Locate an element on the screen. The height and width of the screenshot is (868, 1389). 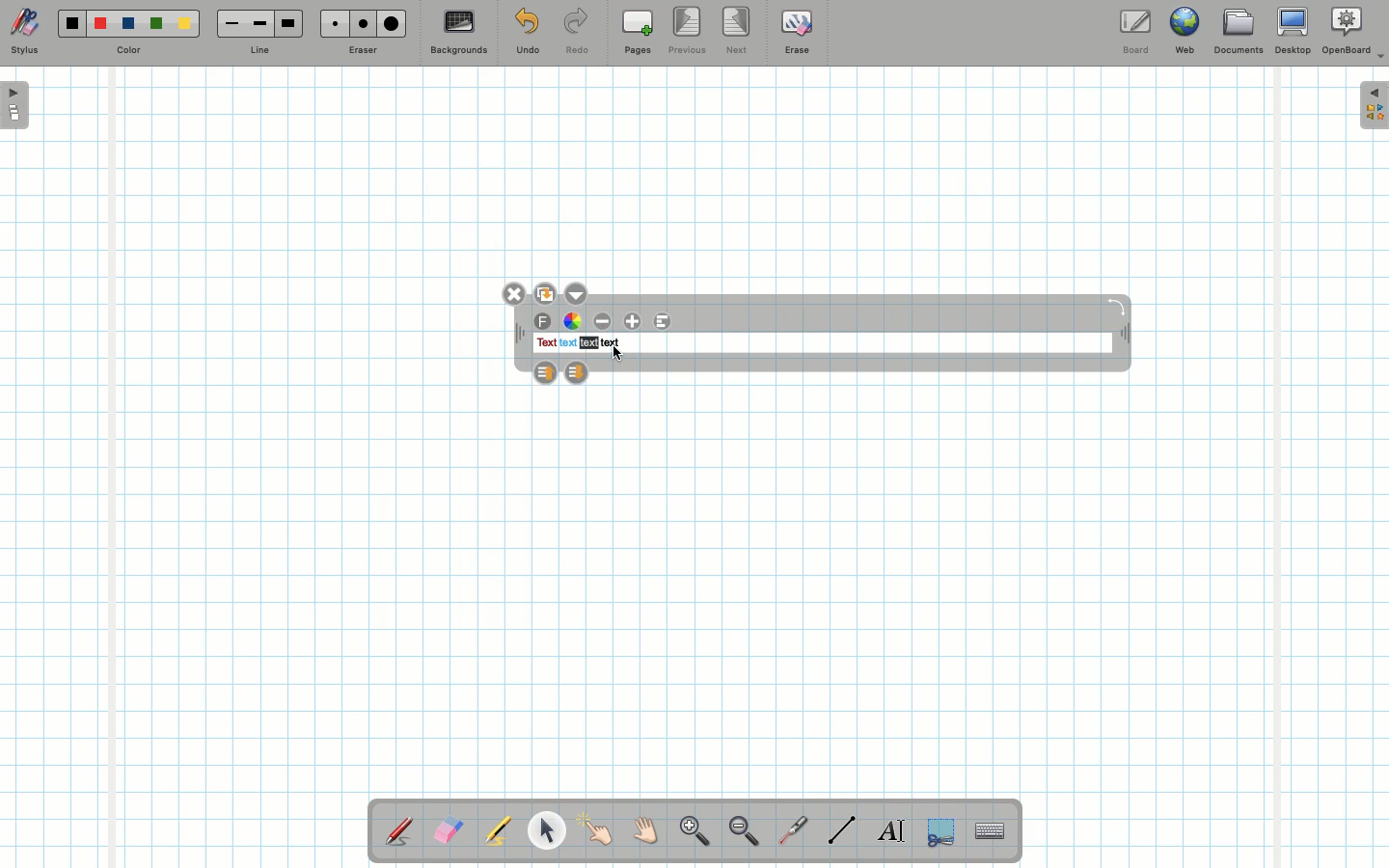
Blue is located at coordinates (129, 24).